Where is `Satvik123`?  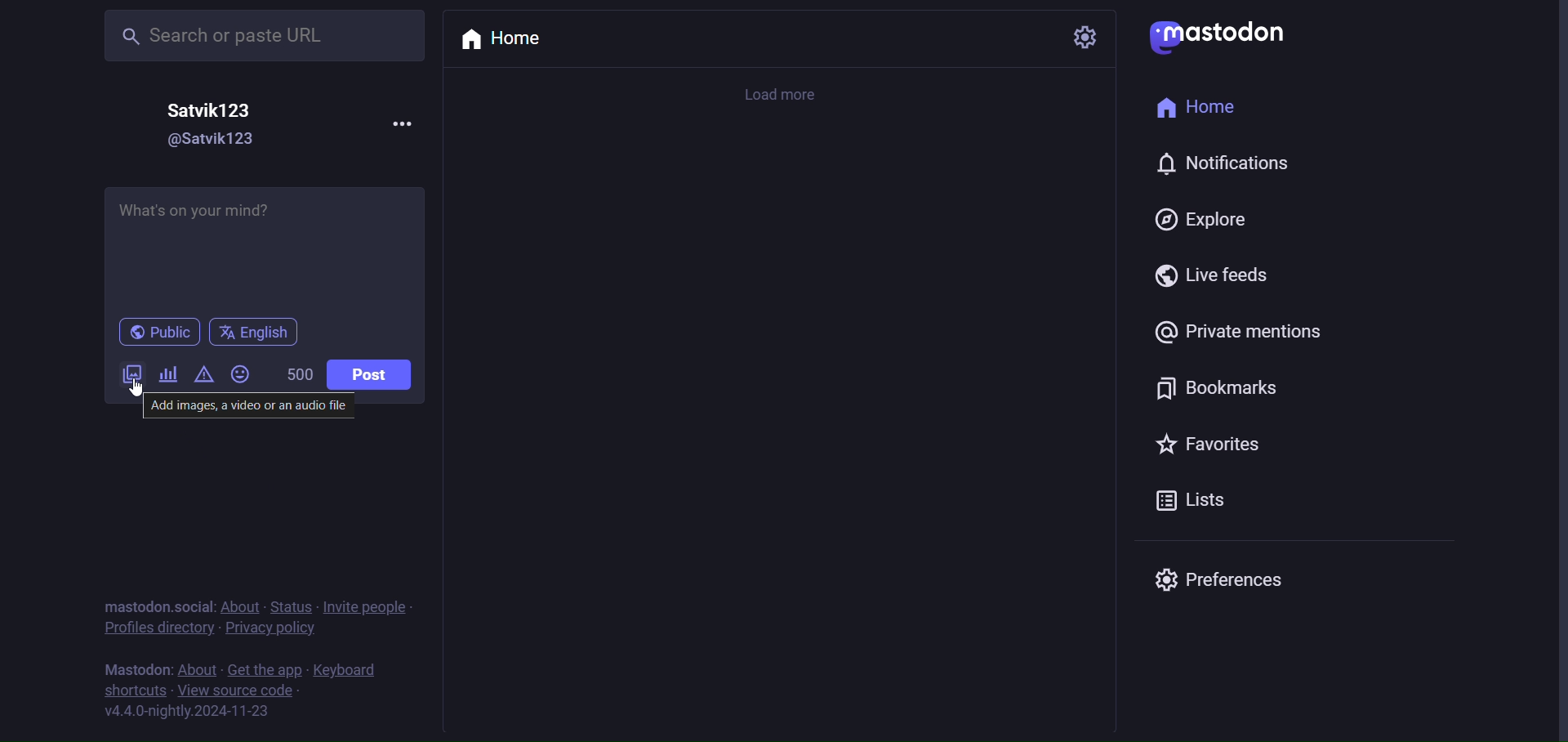 Satvik123 is located at coordinates (212, 110).